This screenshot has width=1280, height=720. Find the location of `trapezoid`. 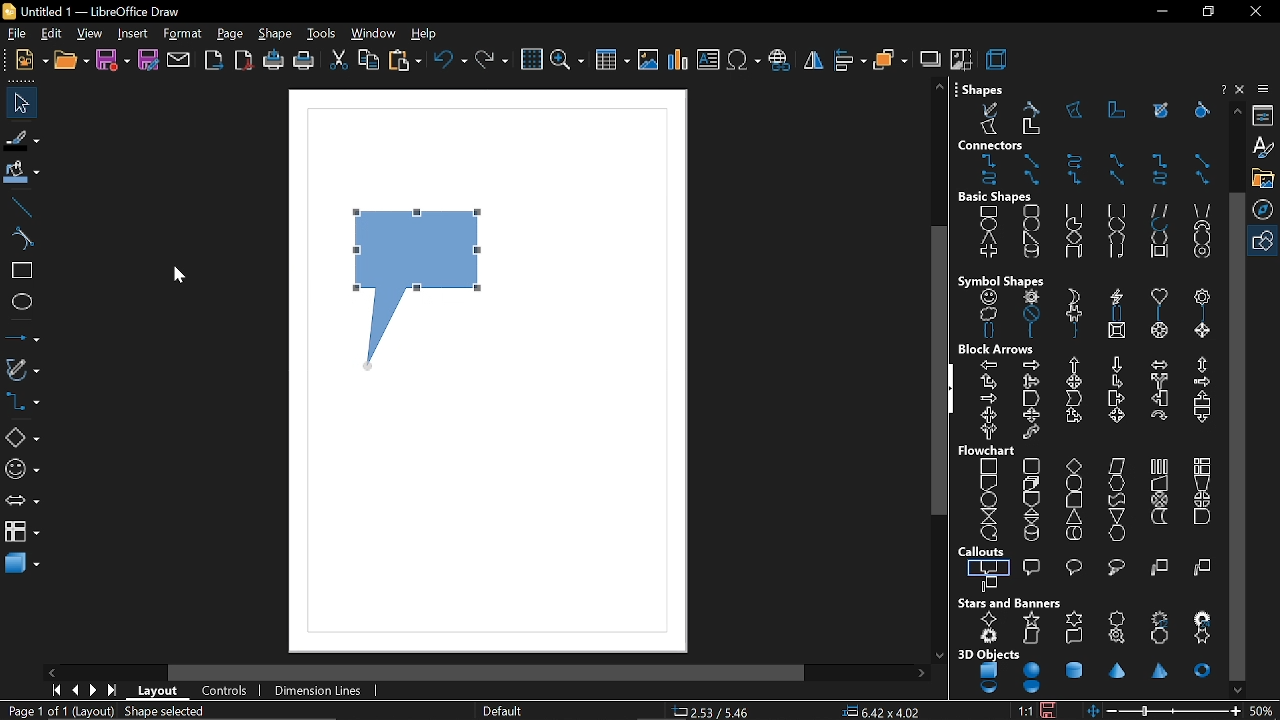

trapezoid is located at coordinates (1203, 208).